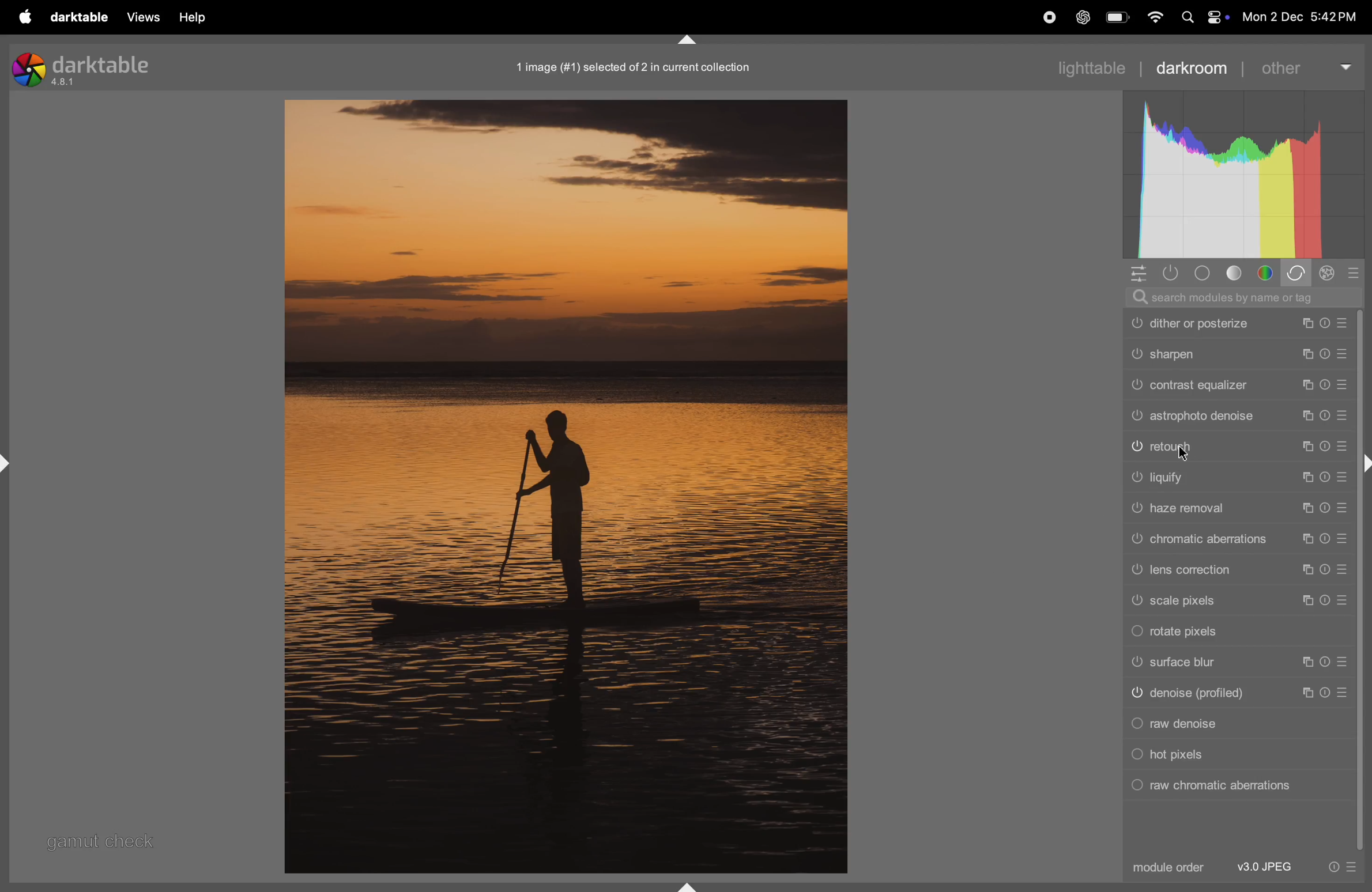 The image size is (1372, 892). Describe the element at coordinates (1241, 174) in the screenshot. I see `histogram` at that location.